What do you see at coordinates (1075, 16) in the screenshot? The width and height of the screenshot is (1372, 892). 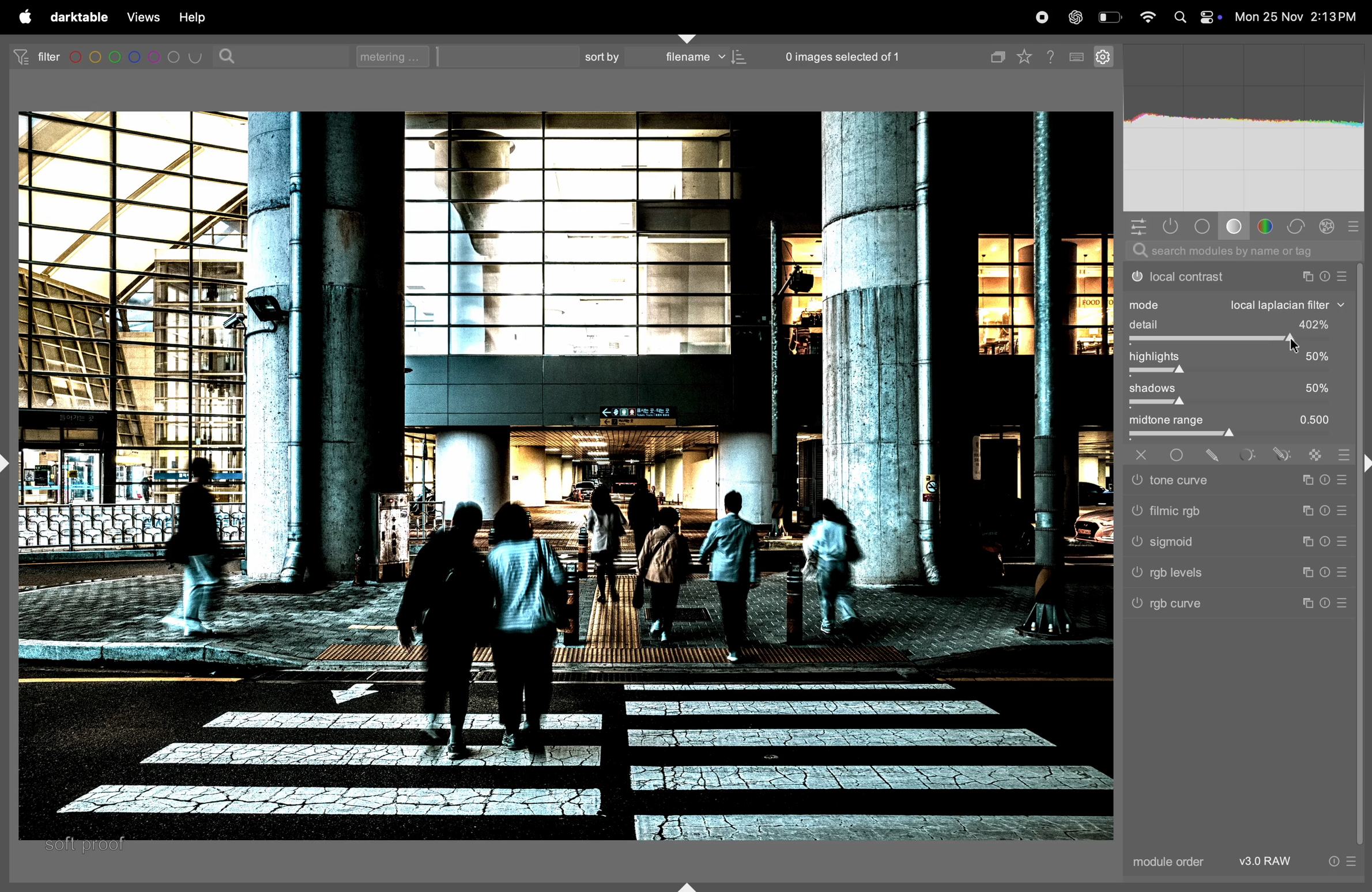 I see `chatgpt` at bounding box center [1075, 16].